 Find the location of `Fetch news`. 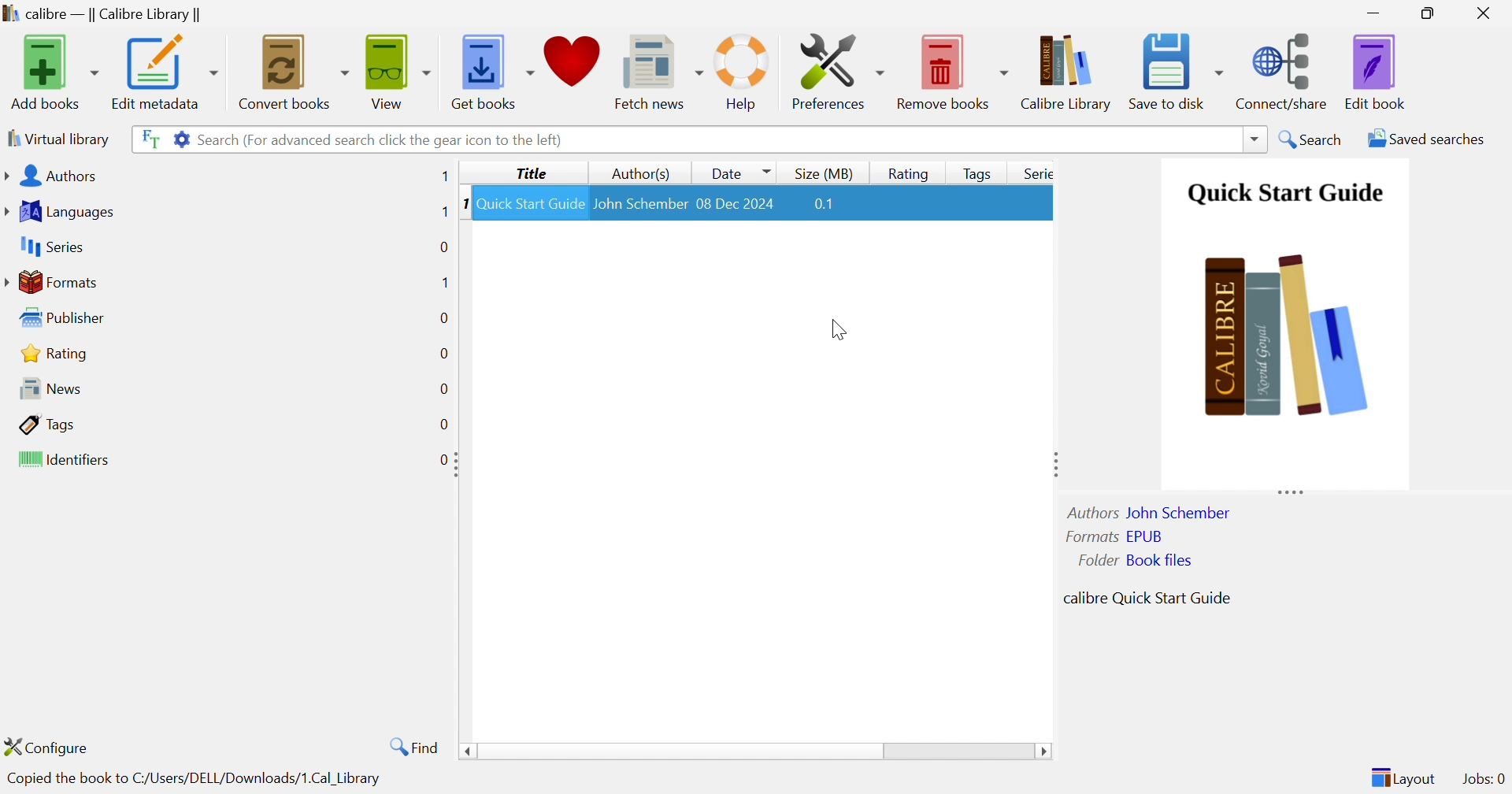

Fetch news is located at coordinates (655, 69).